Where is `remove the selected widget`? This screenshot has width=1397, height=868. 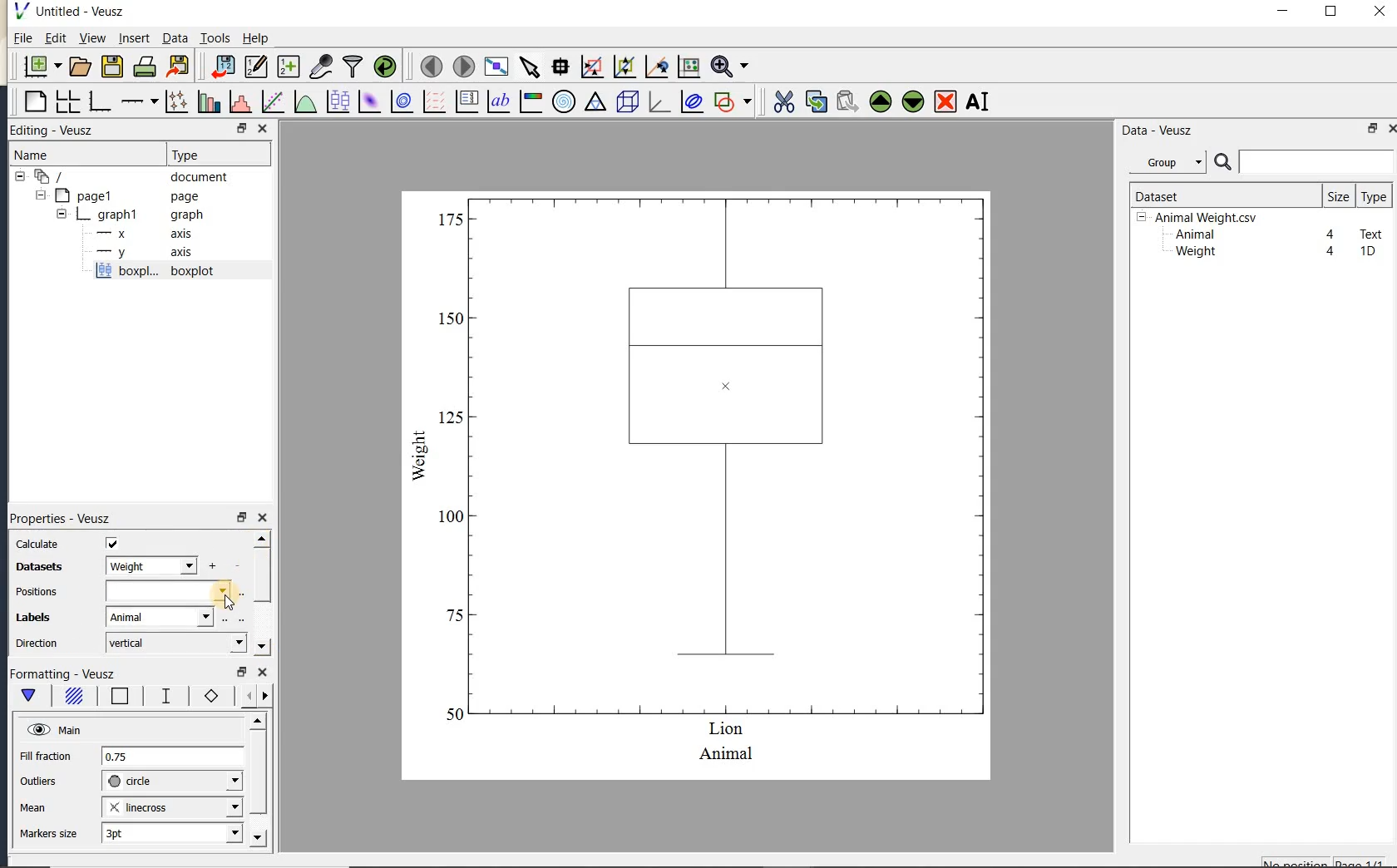 remove the selected widget is located at coordinates (944, 103).